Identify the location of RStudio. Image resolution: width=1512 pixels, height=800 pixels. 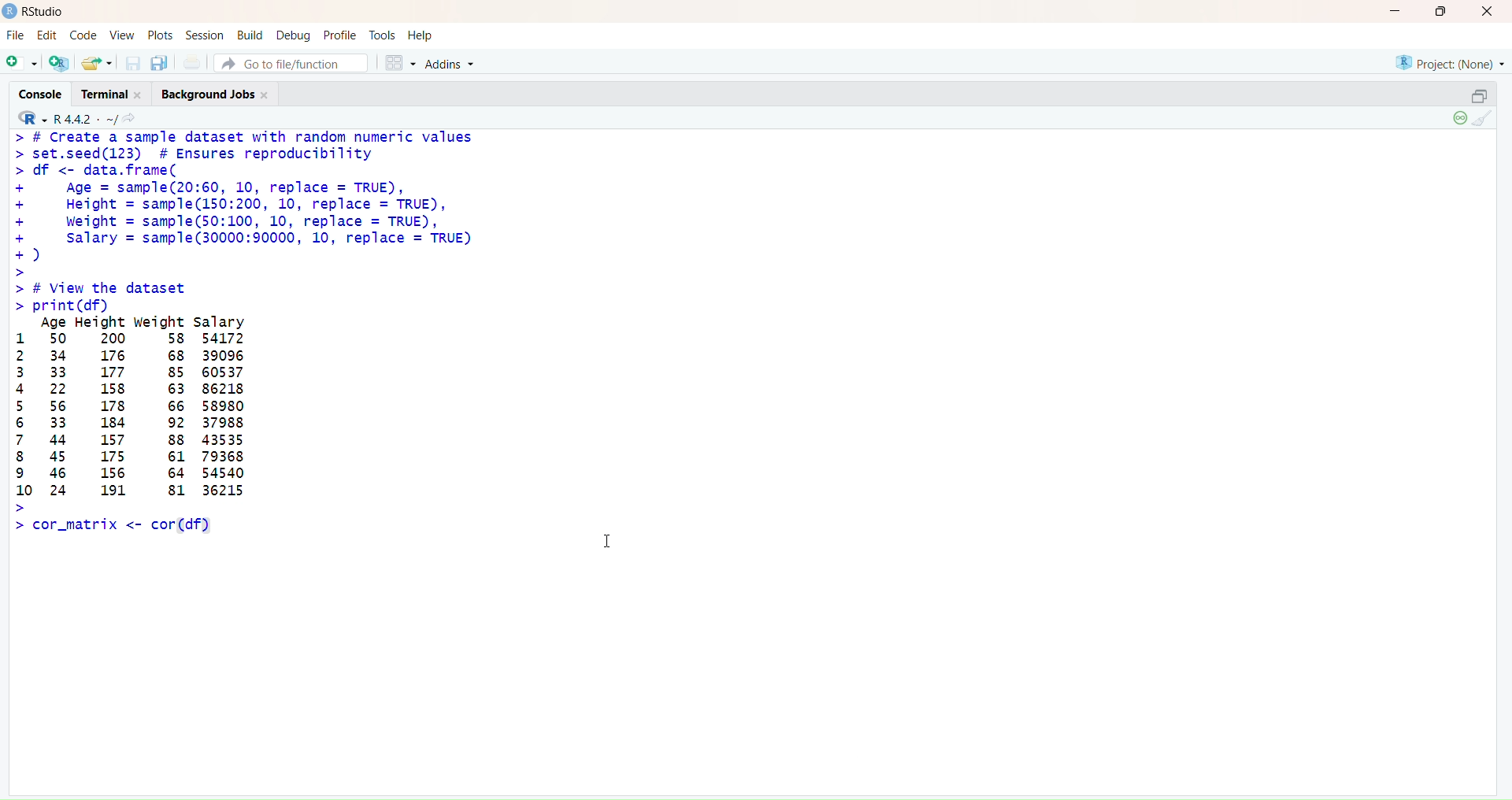
(36, 12).